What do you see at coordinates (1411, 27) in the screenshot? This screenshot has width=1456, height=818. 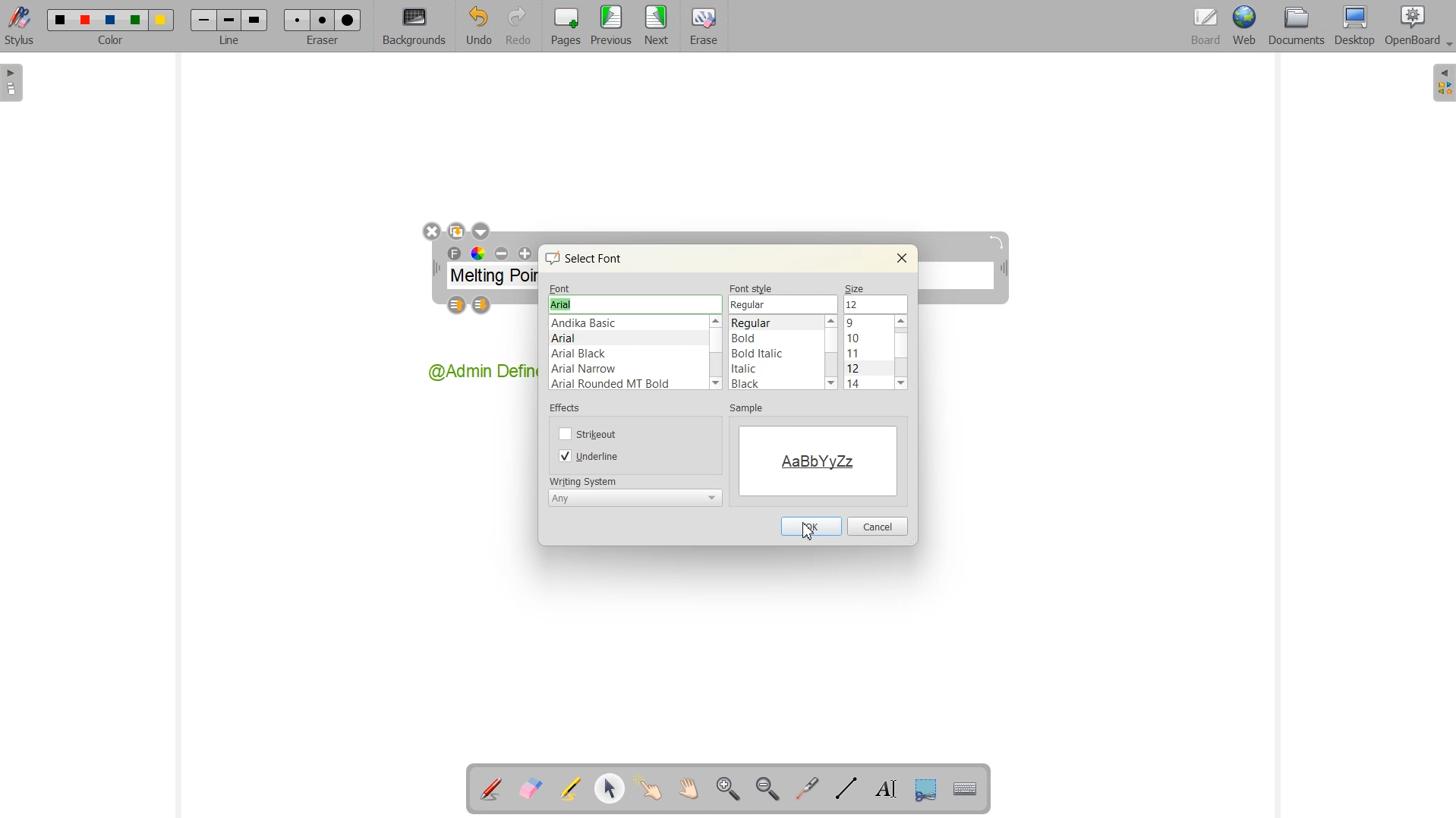 I see `OpenBoard` at bounding box center [1411, 27].